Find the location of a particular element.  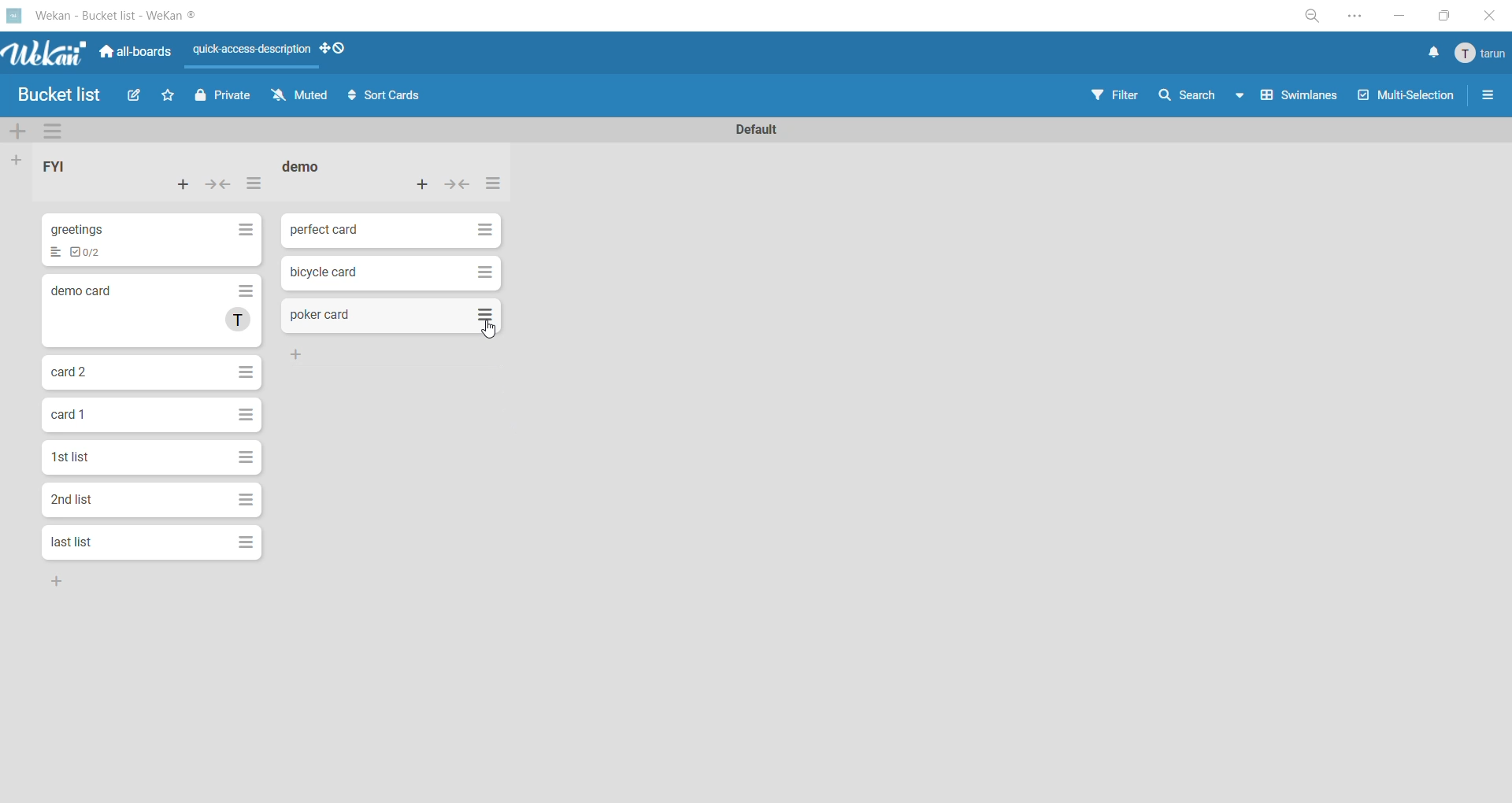

zoom is located at coordinates (1316, 18).